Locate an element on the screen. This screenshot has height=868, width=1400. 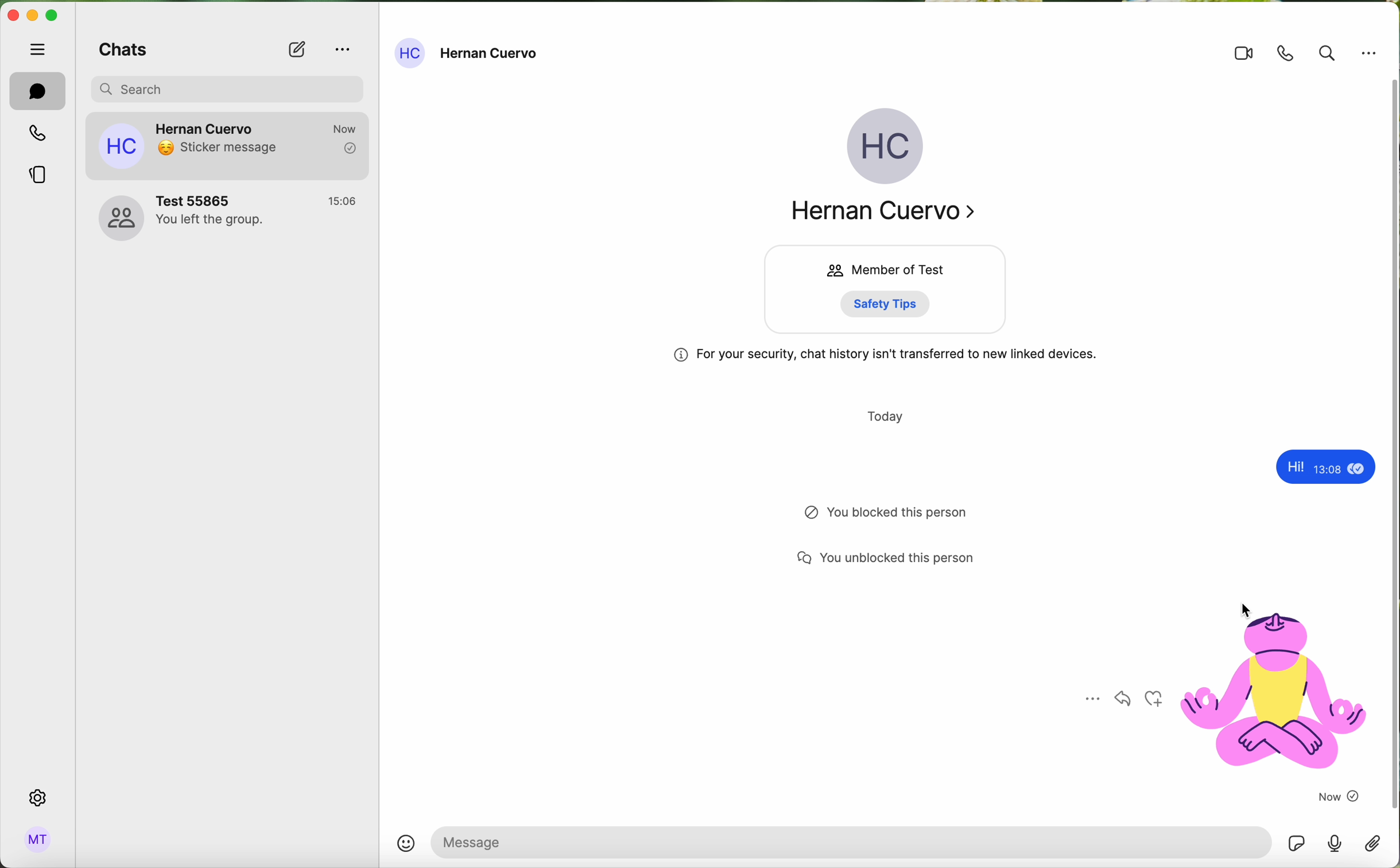
you unblocked this person is located at coordinates (898, 563).